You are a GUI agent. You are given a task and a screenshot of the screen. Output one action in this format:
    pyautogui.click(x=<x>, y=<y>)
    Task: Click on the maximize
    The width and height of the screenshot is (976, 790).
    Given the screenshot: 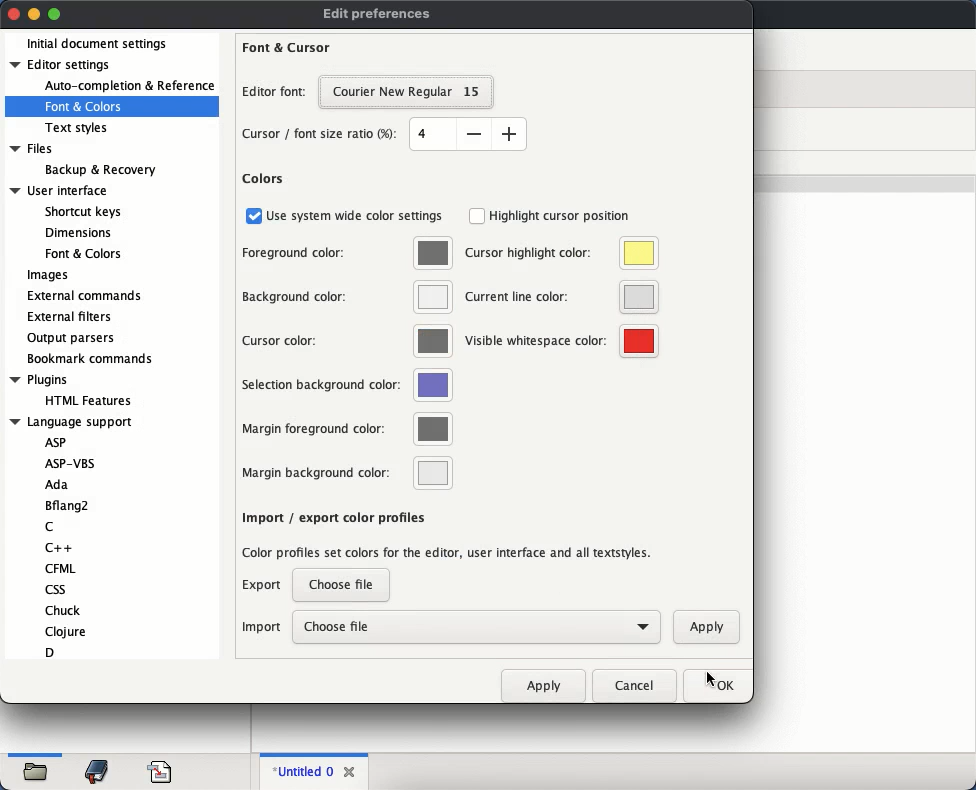 What is the action you would take?
    pyautogui.click(x=55, y=15)
    